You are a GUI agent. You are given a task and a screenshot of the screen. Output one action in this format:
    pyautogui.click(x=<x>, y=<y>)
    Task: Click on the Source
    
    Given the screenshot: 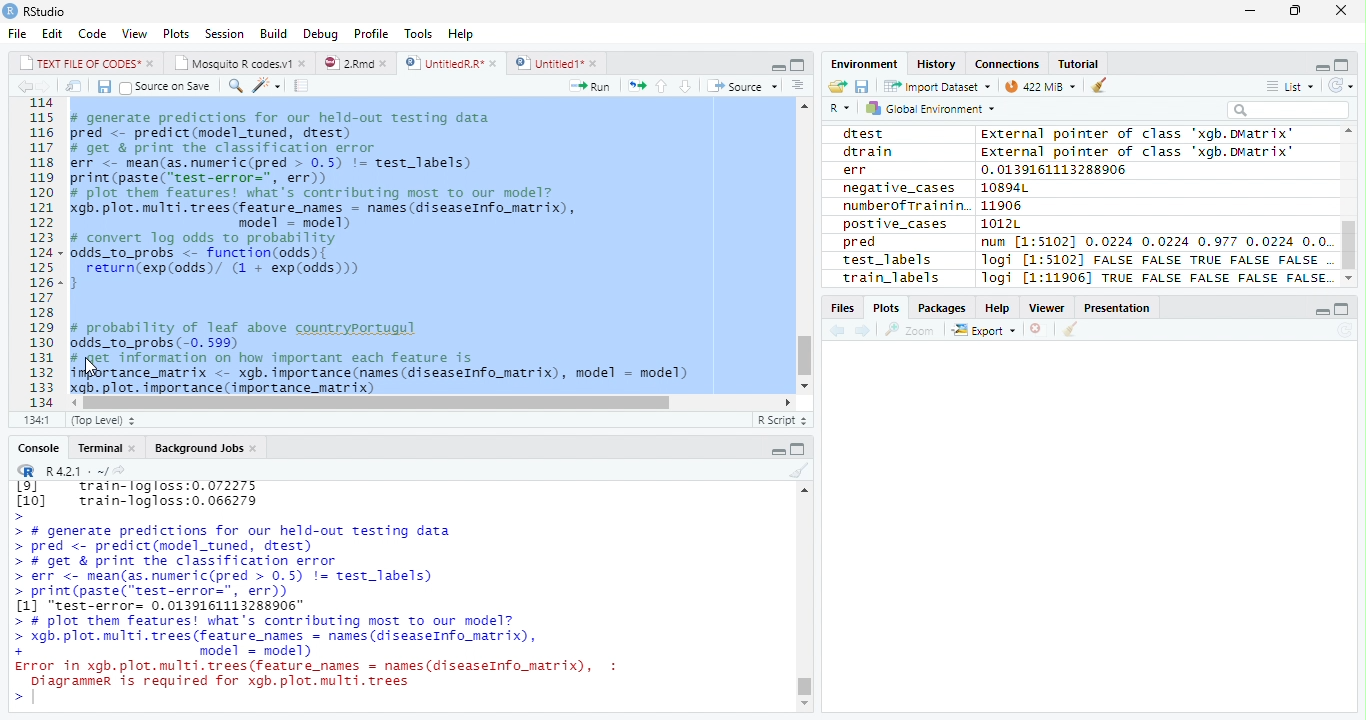 What is the action you would take?
    pyautogui.click(x=741, y=85)
    